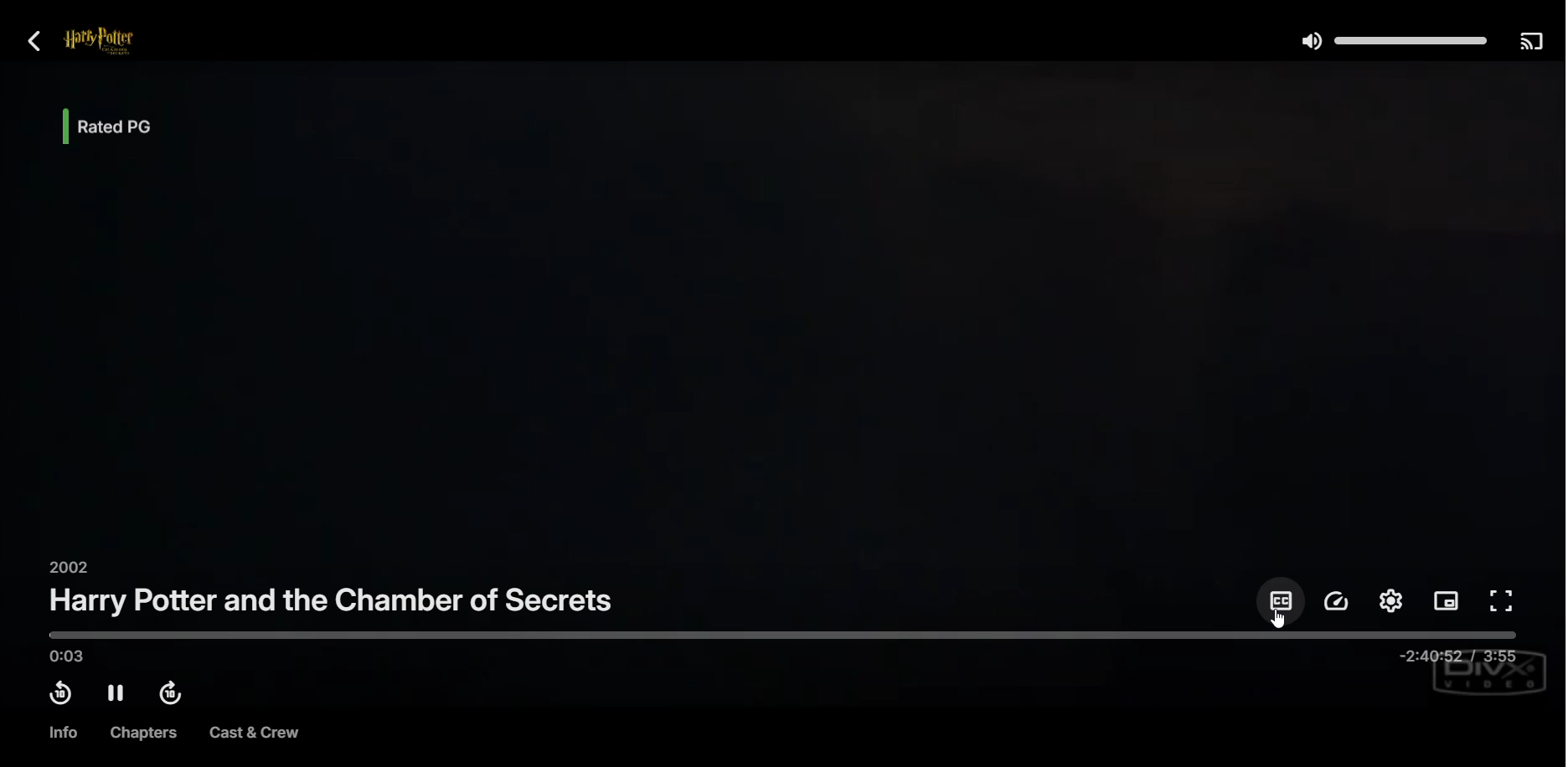 The height and width of the screenshot is (767, 1568). Describe the element at coordinates (59, 693) in the screenshot. I see `Rewind` at that location.